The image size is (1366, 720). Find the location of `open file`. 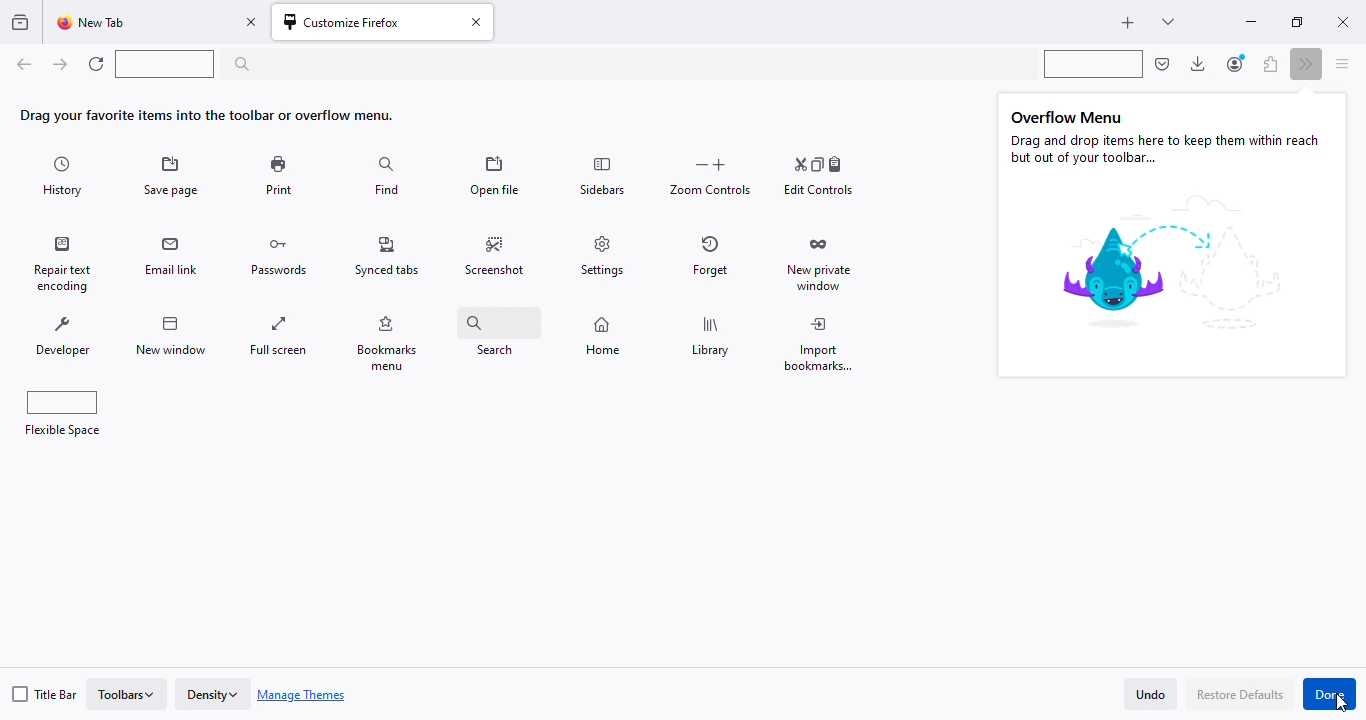

open file is located at coordinates (494, 174).